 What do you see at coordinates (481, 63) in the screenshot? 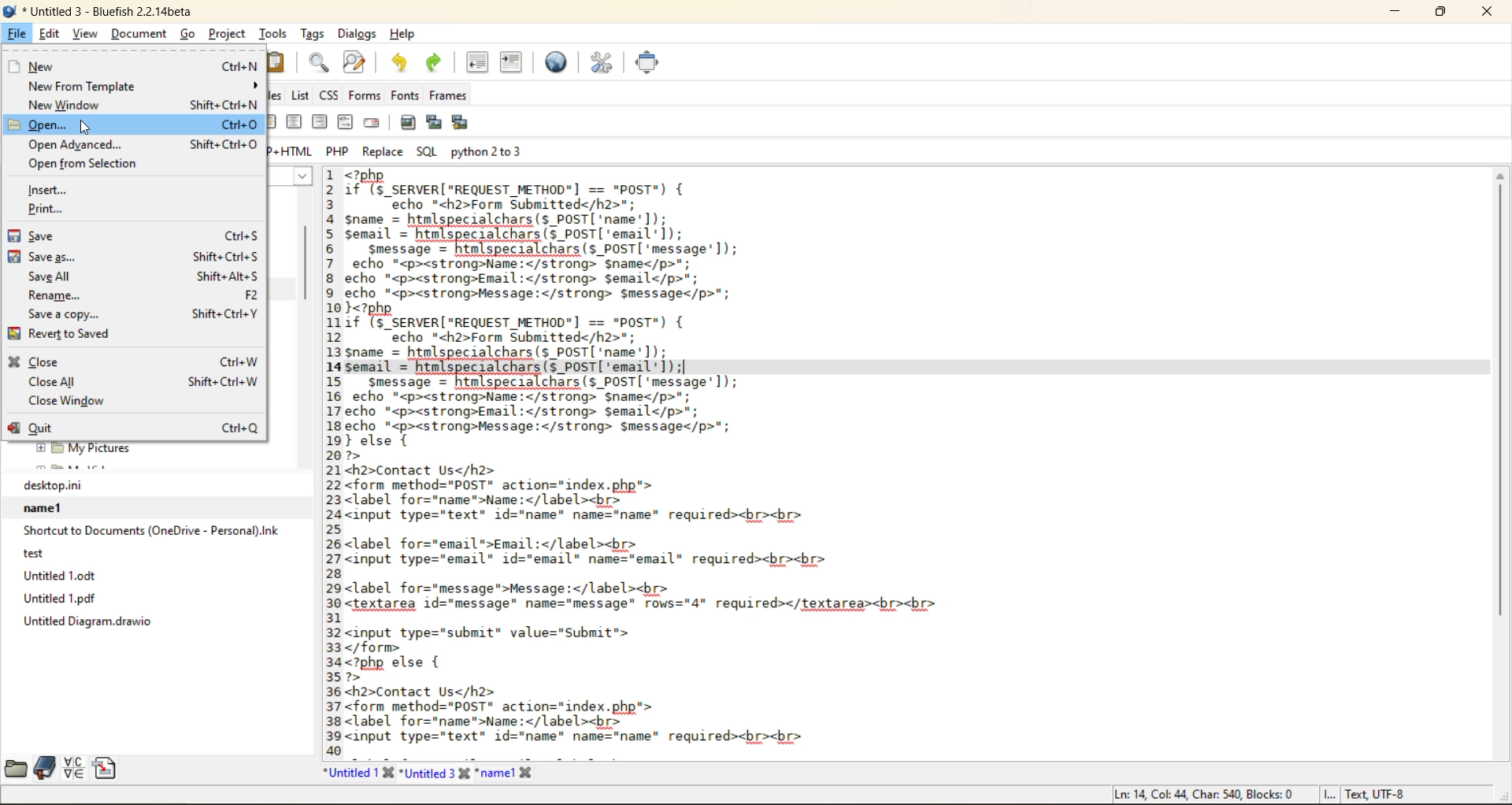
I see `unindent ` at bounding box center [481, 63].